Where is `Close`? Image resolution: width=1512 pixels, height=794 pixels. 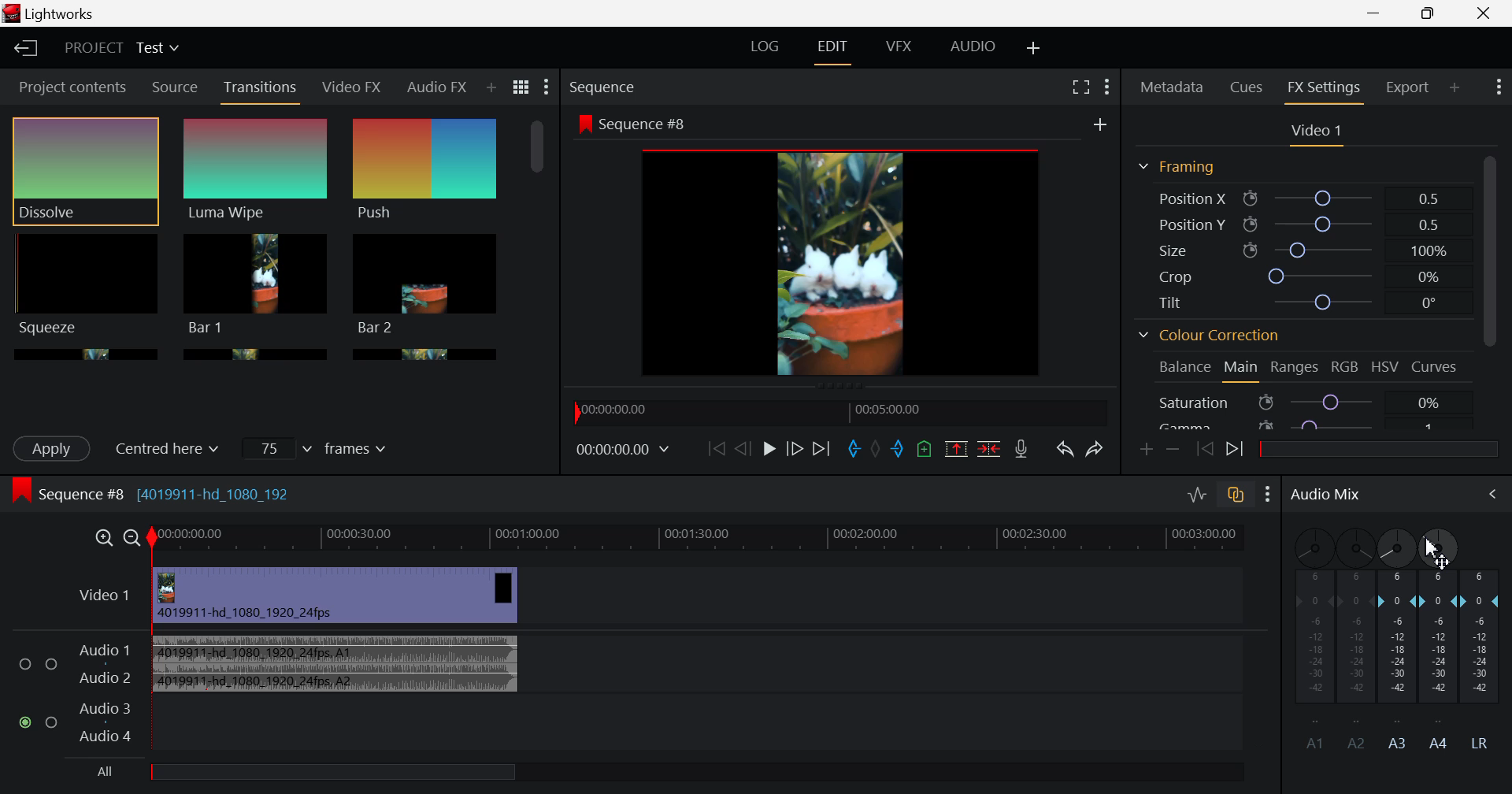
Close is located at coordinates (1484, 14).